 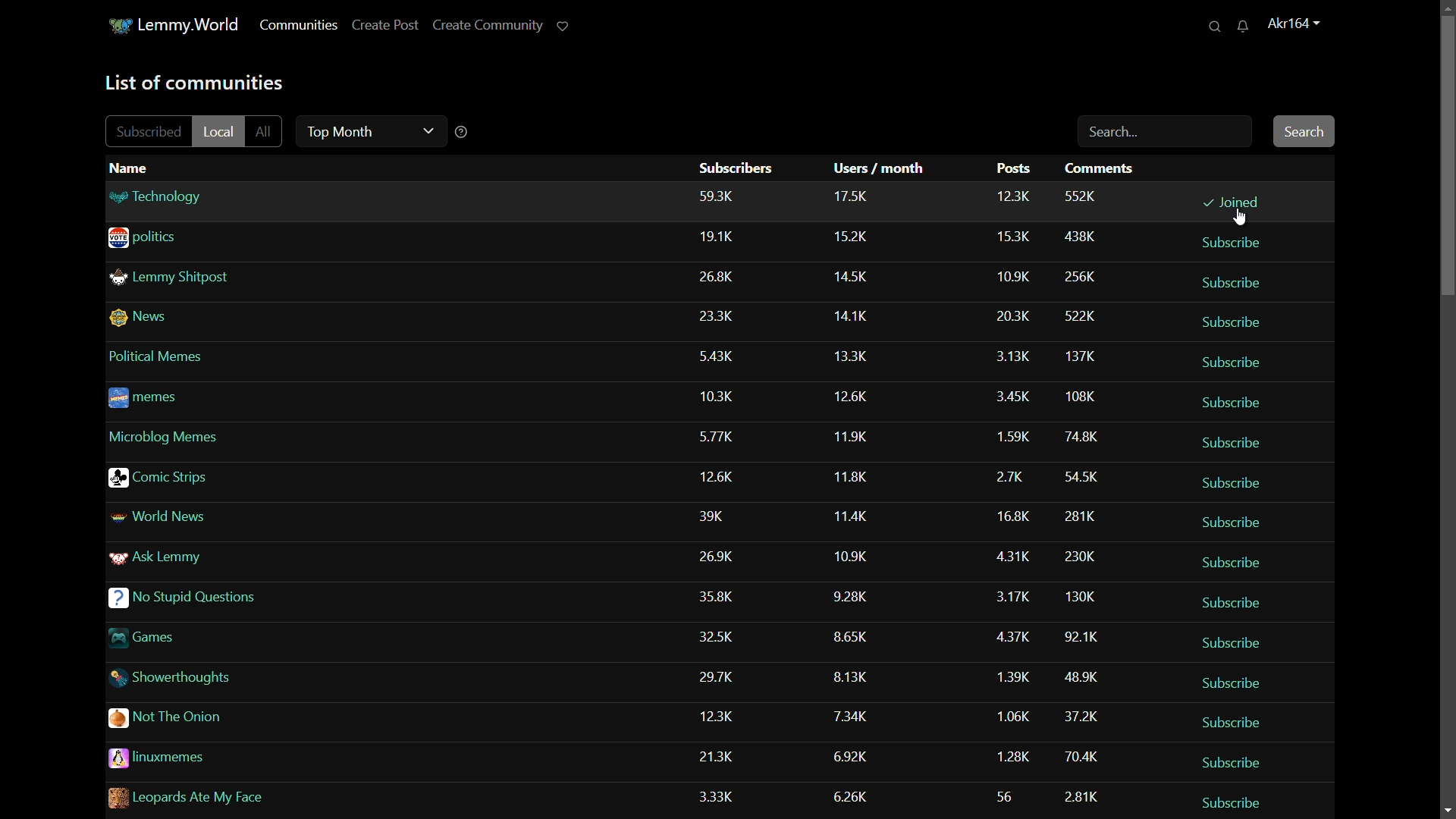 What do you see at coordinates (1082, 795) in the screenshot?
I see `comments` at bounding box center [1082, 795].